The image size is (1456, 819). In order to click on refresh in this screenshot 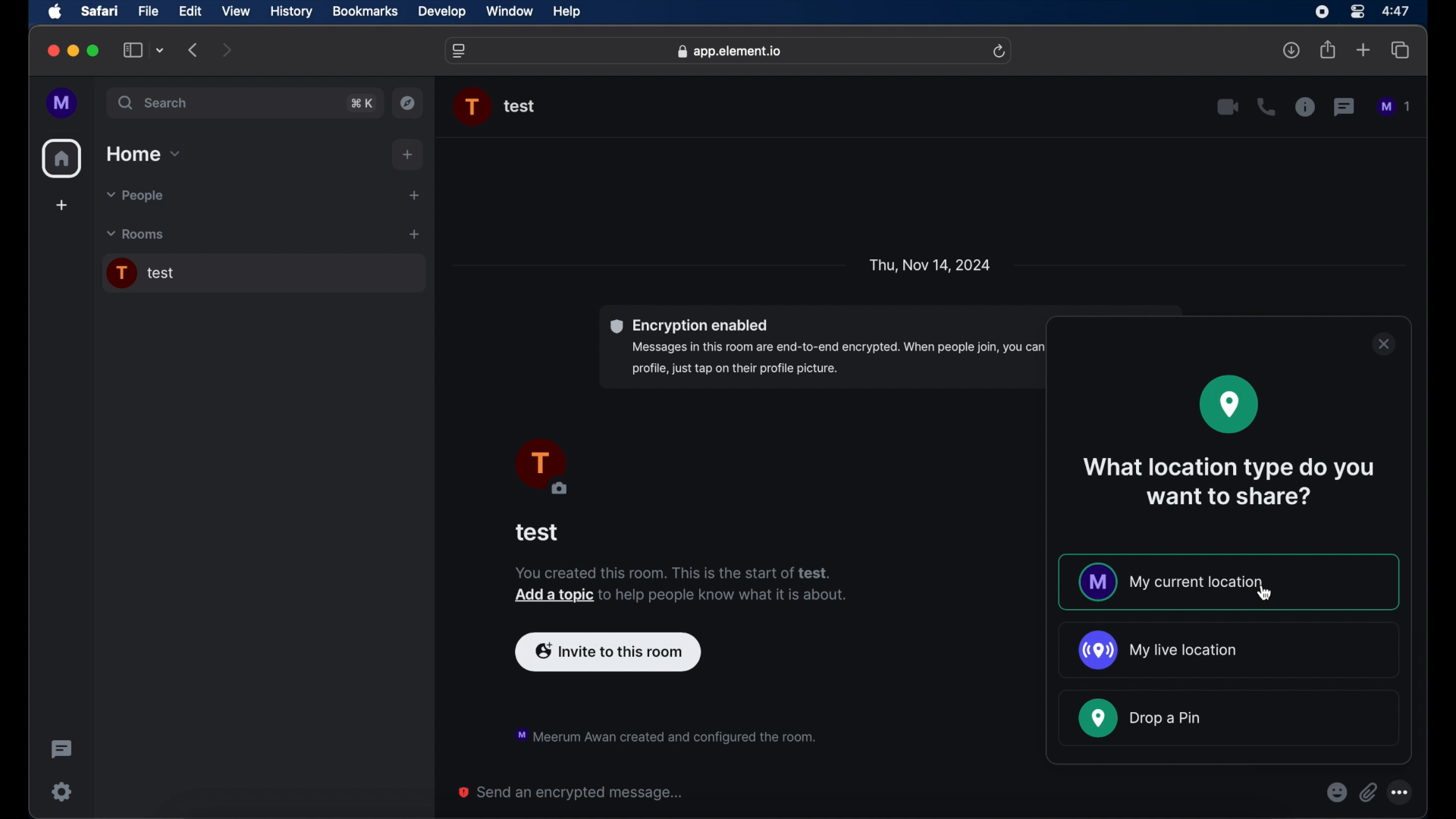, I will do `click(1001, 51)`.